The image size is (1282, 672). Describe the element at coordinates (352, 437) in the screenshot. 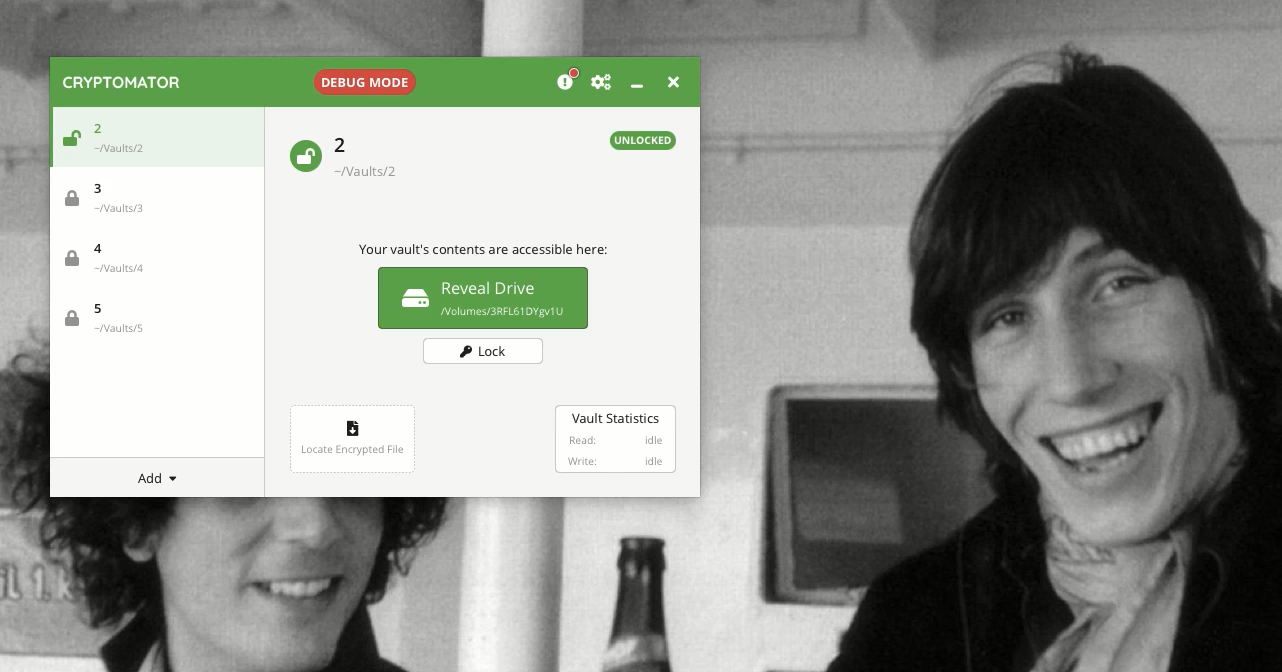

I see `Locate encrypted file` at that location.